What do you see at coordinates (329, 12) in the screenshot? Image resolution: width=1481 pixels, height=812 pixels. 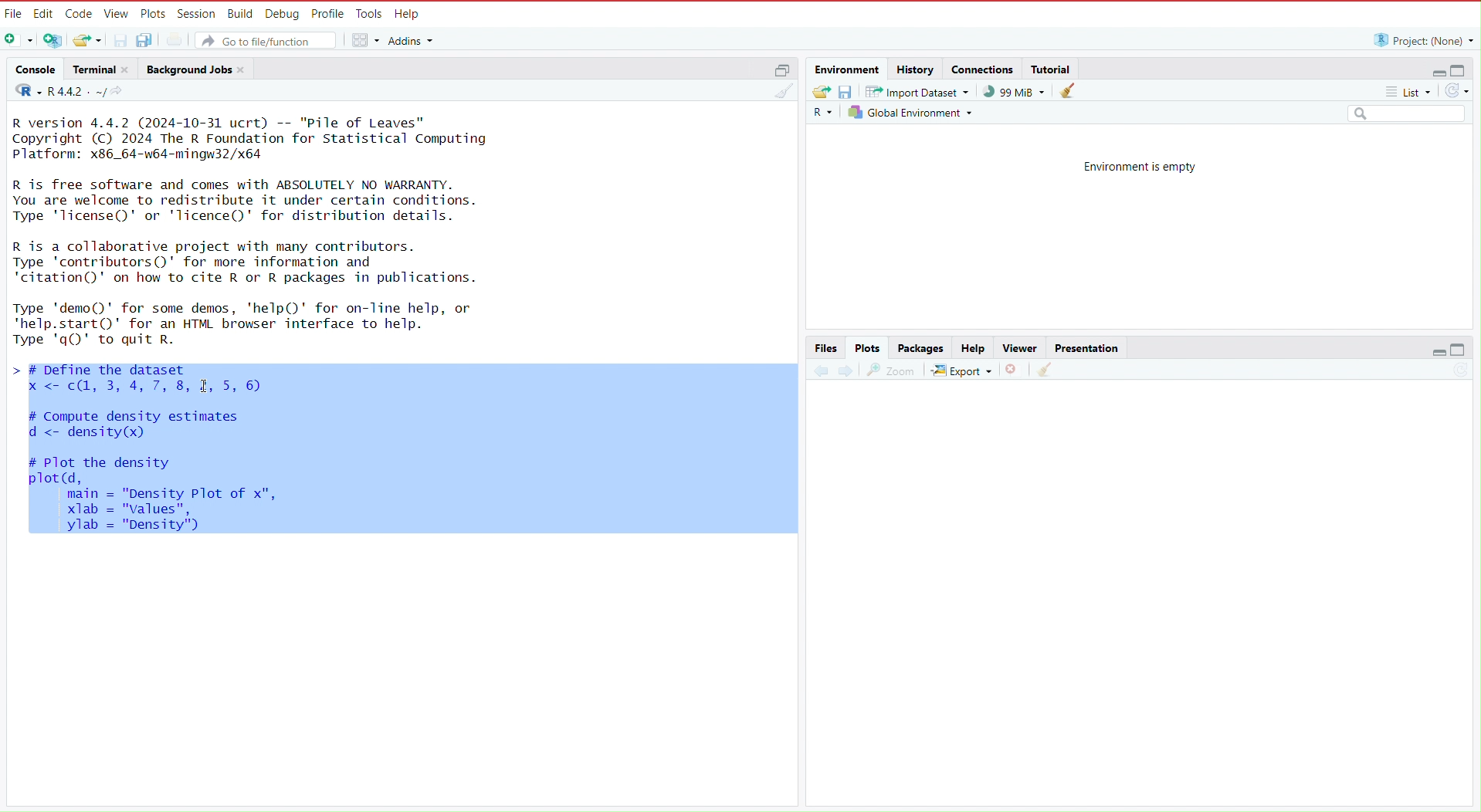 I see `profile` at bounding box center [329, 12].